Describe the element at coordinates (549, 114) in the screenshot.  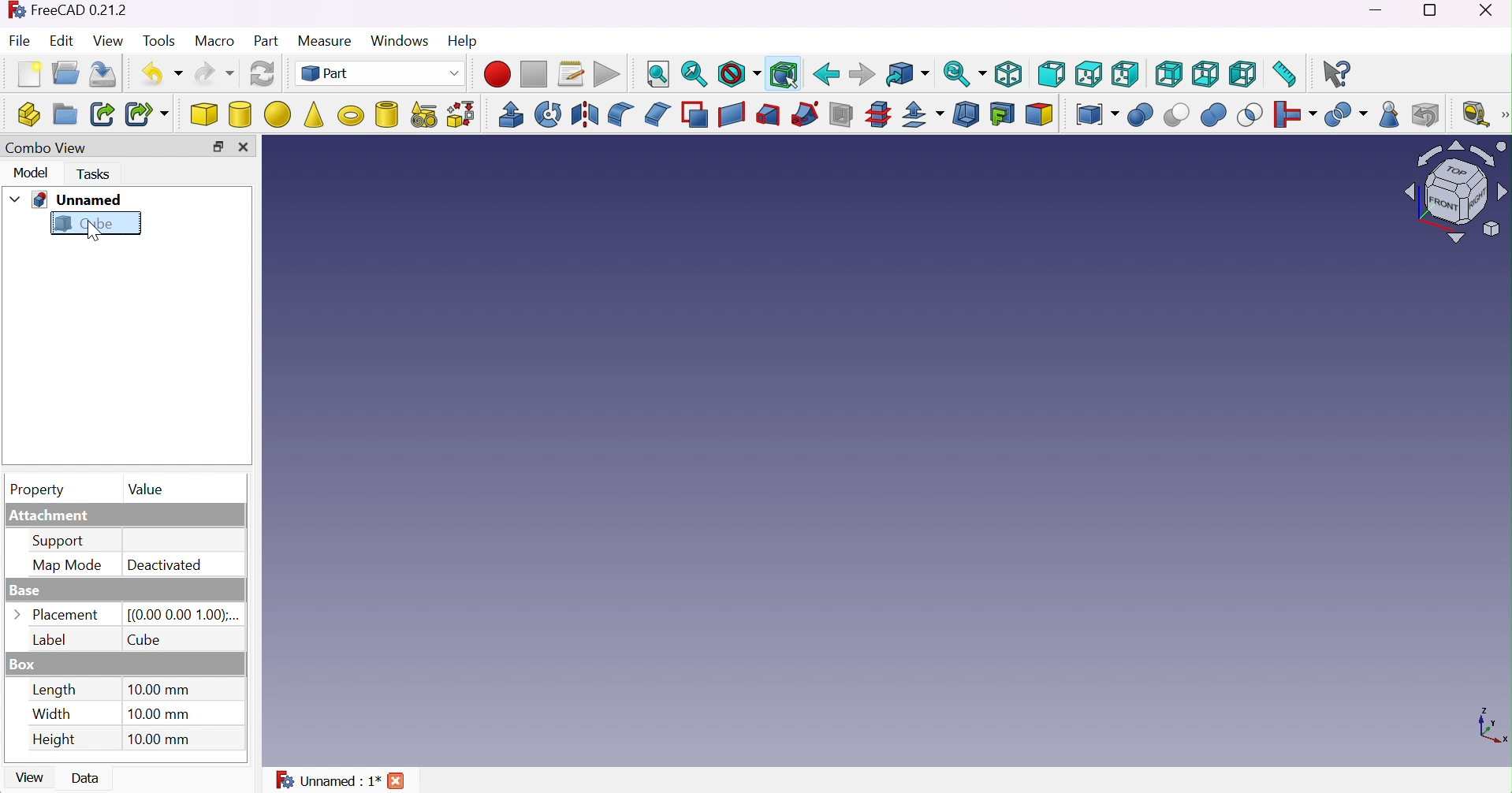
I see `Revolve` at that location.